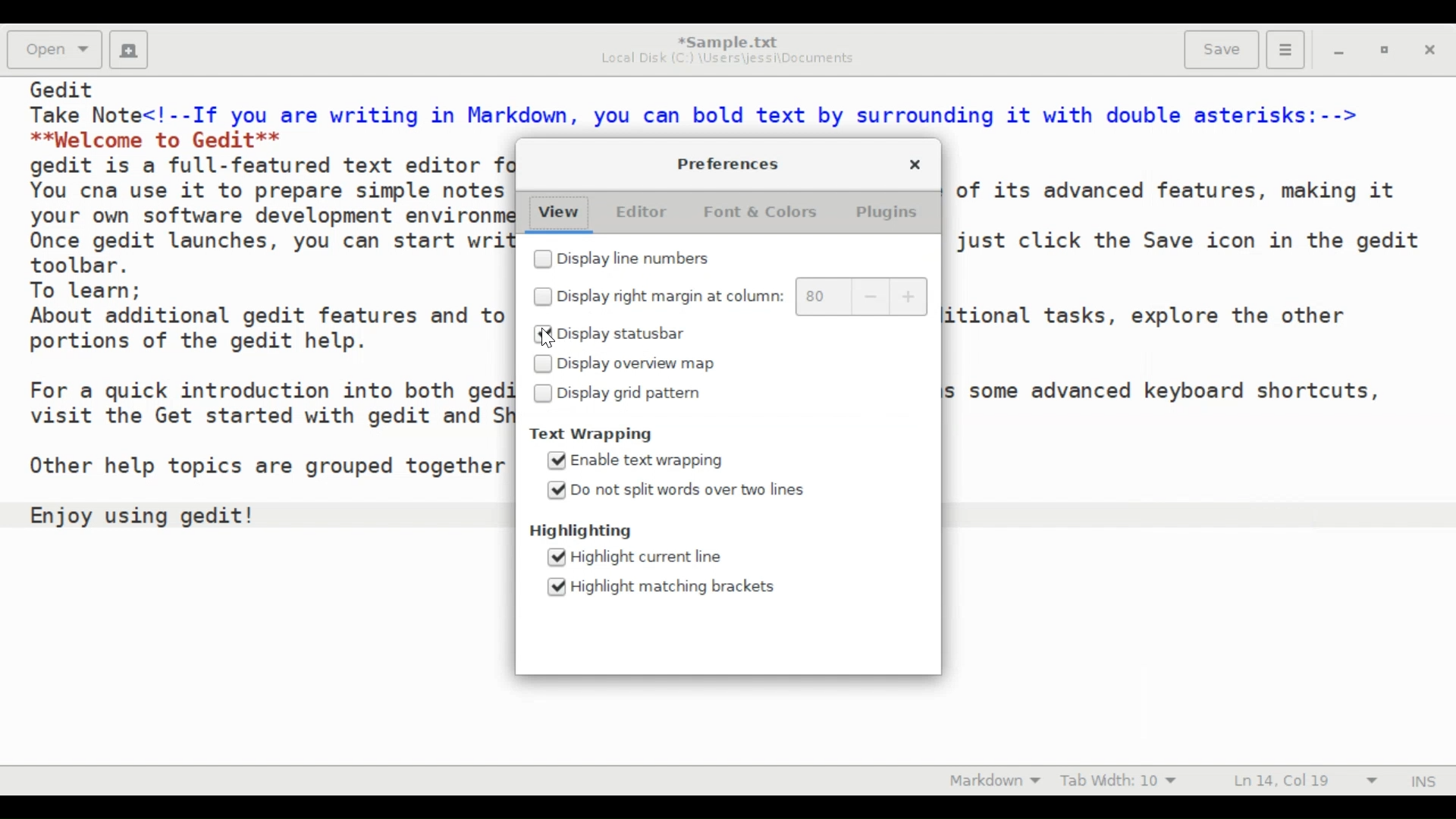 This screenshot has height=819, width=1456. I want to click on (un)select Do not split words over two lines, so click(677, 490).